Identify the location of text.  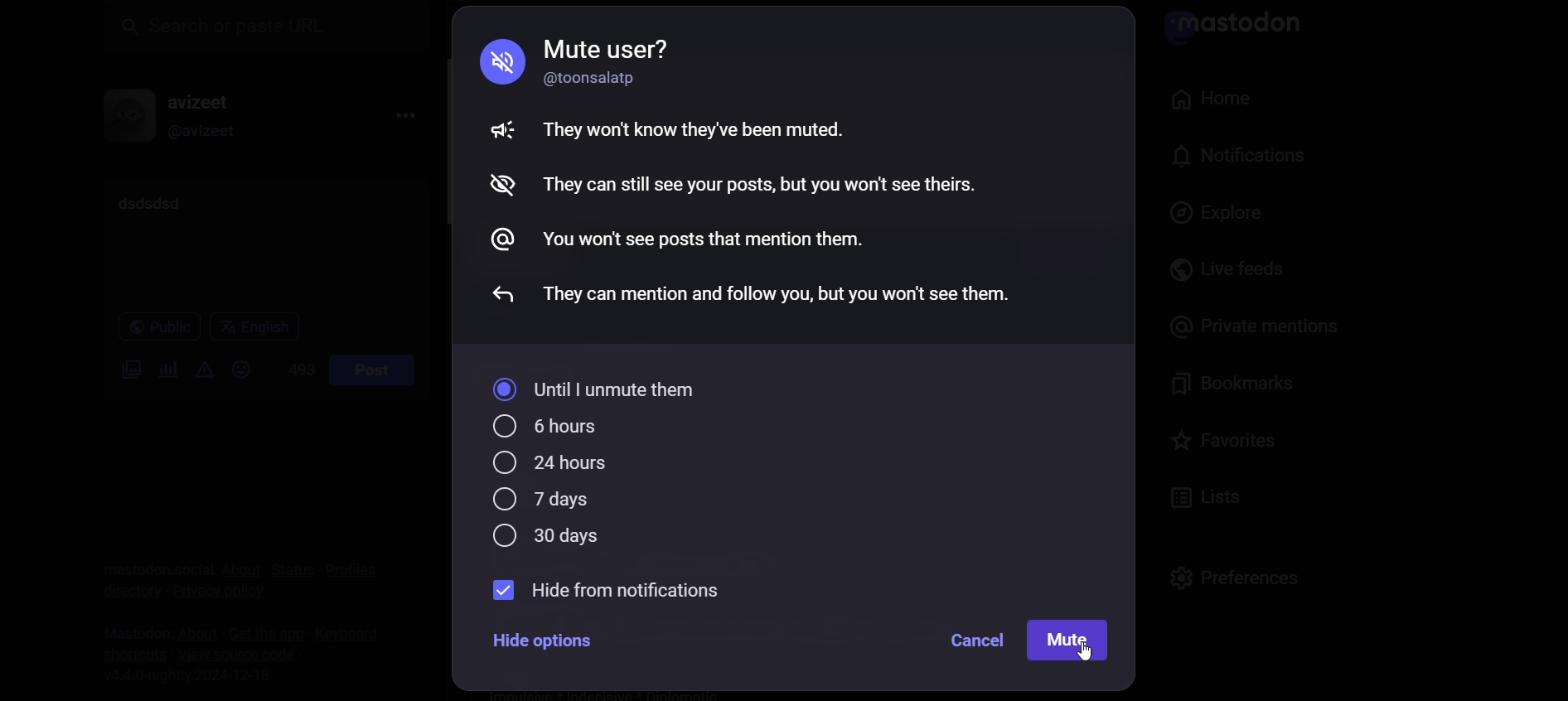
(646, 45).